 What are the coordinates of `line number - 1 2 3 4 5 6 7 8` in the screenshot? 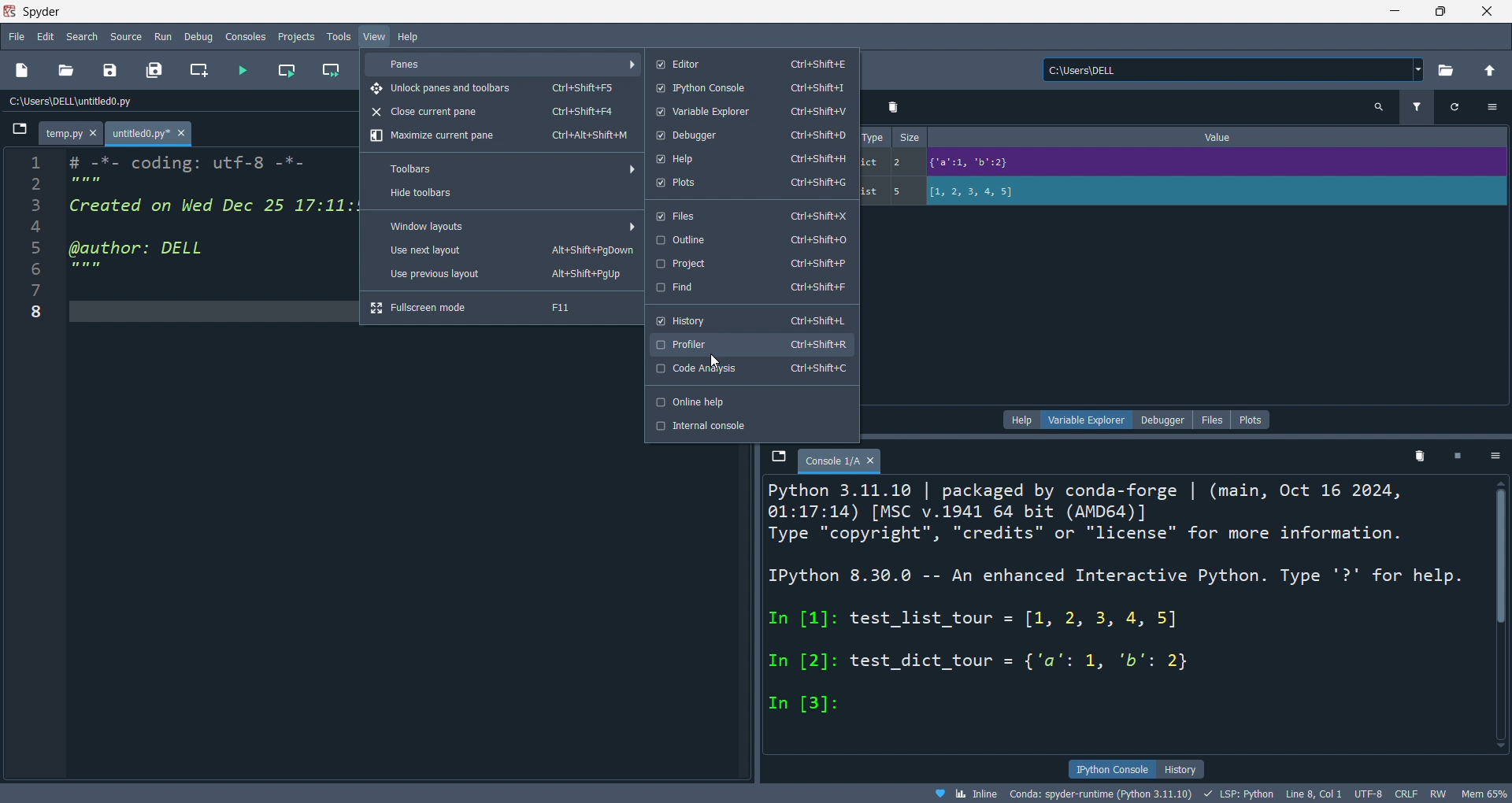 It's located at (35, 465).